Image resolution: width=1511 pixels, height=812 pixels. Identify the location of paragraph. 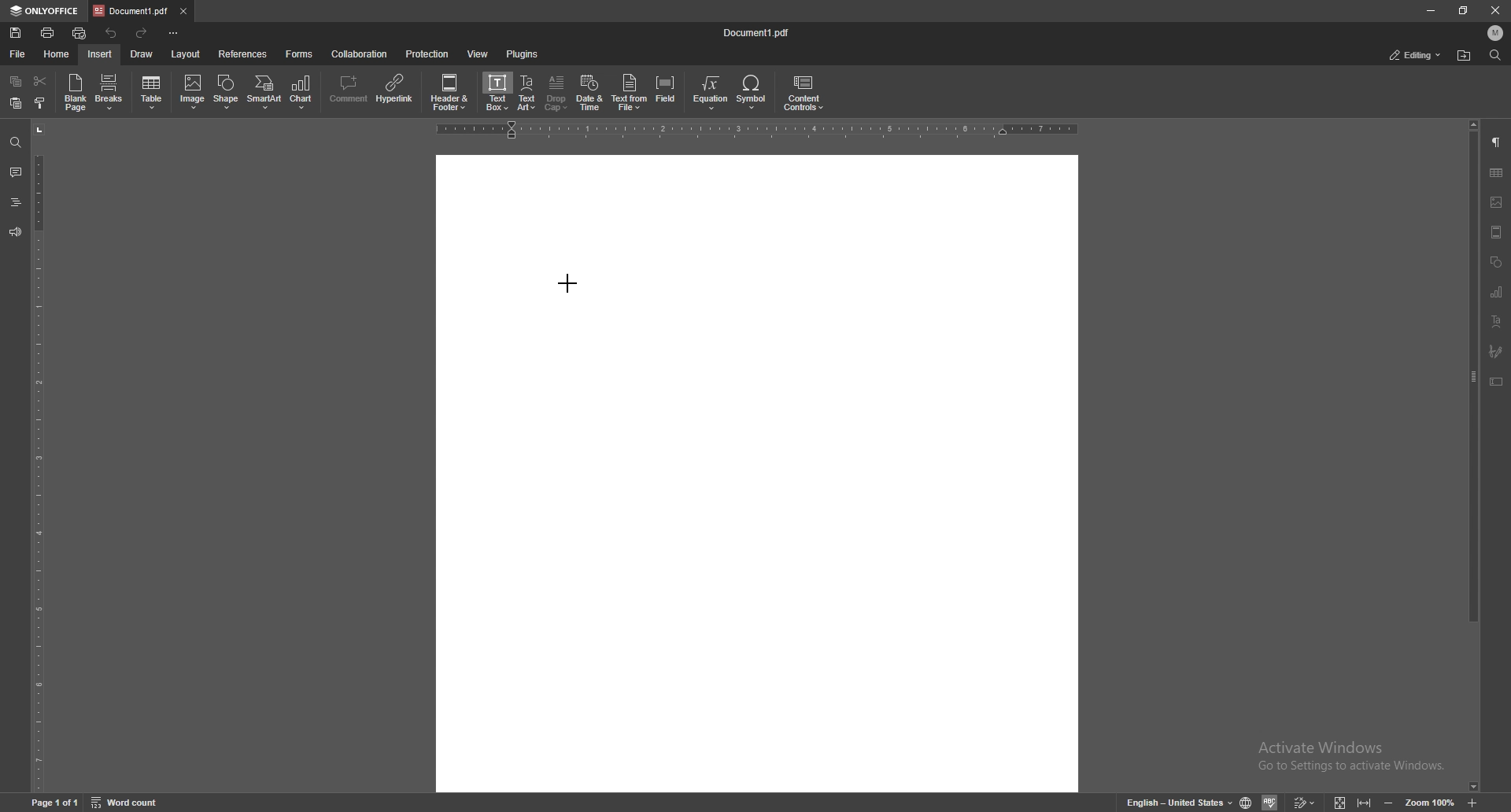
(1498, 142).